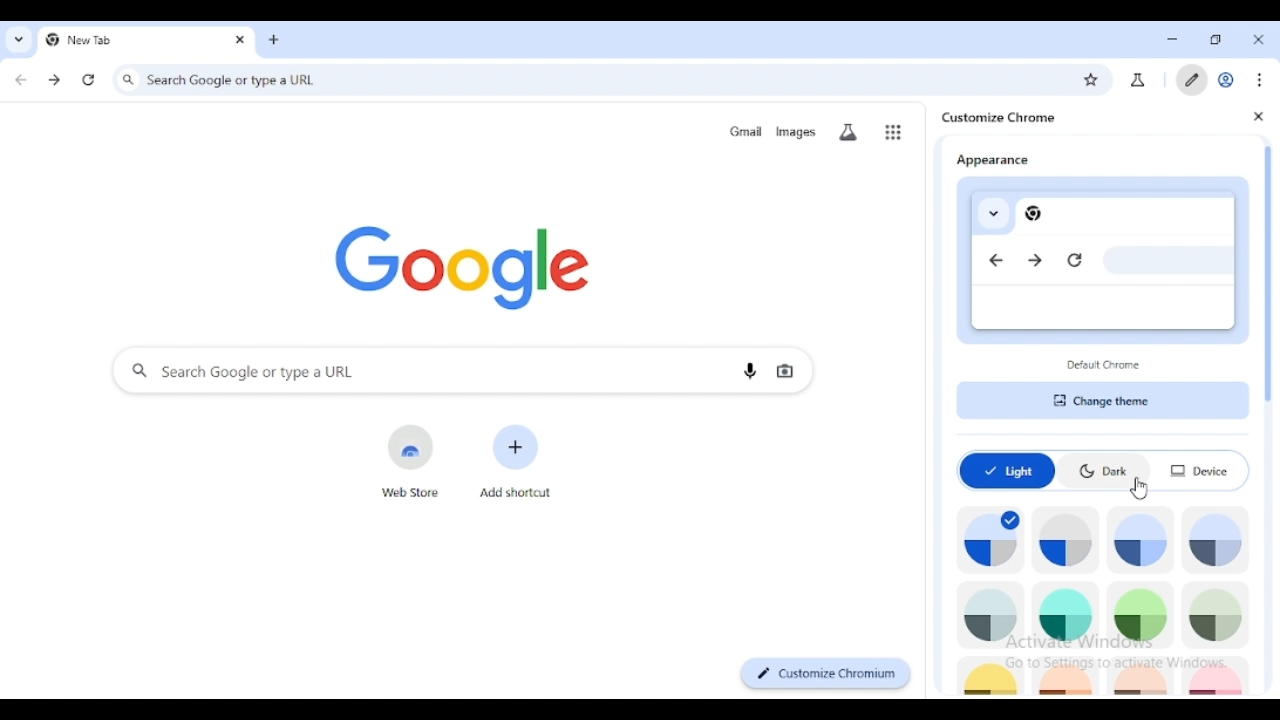 This screenshot has height=720, width=1280. Describe the element at coordinates (1218, 678) in the screenshot. I see `rose` at that location.